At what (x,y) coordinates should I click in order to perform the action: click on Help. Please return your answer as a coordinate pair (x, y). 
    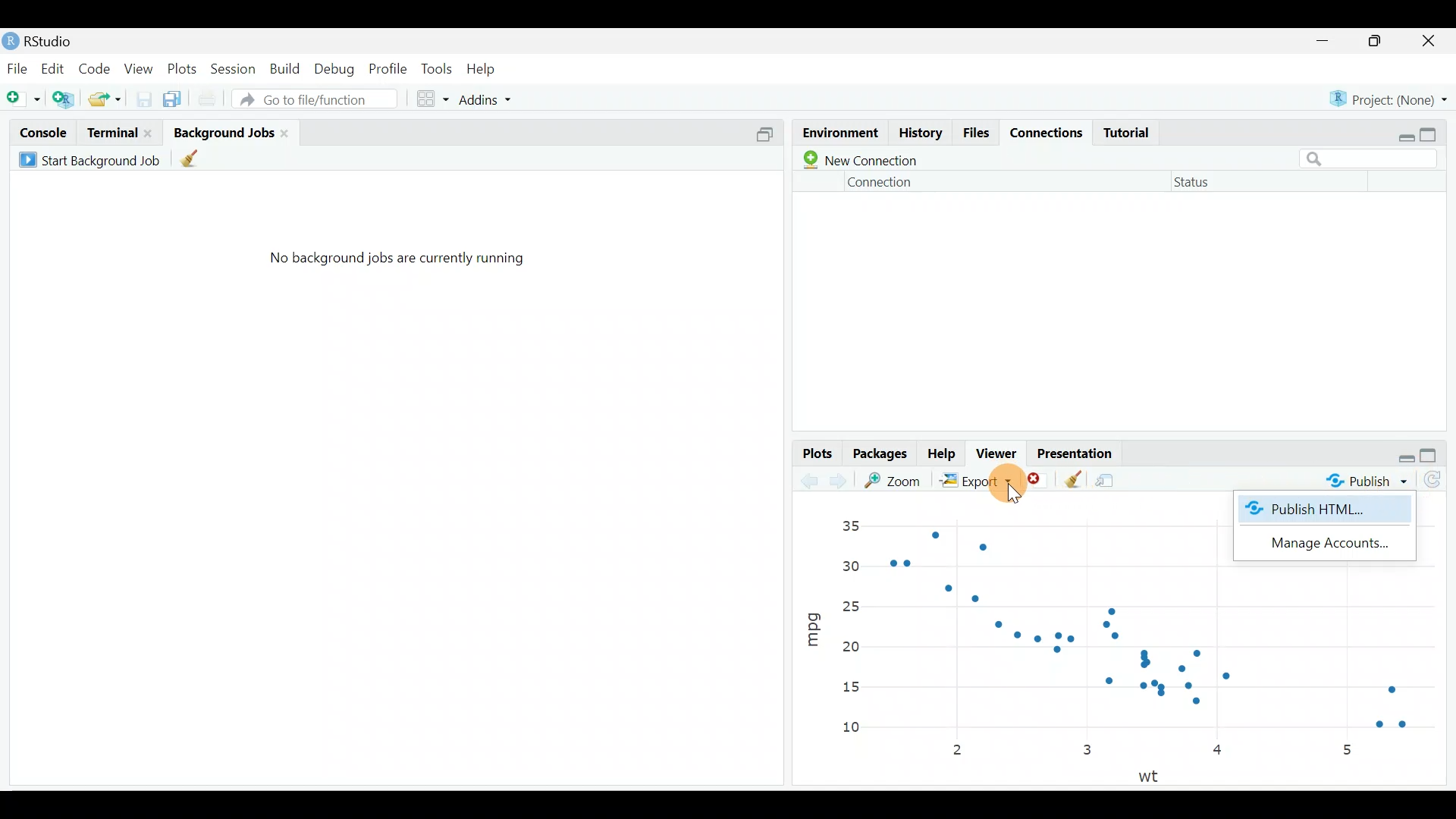
    Looking at the image, I should click on (943, 454).